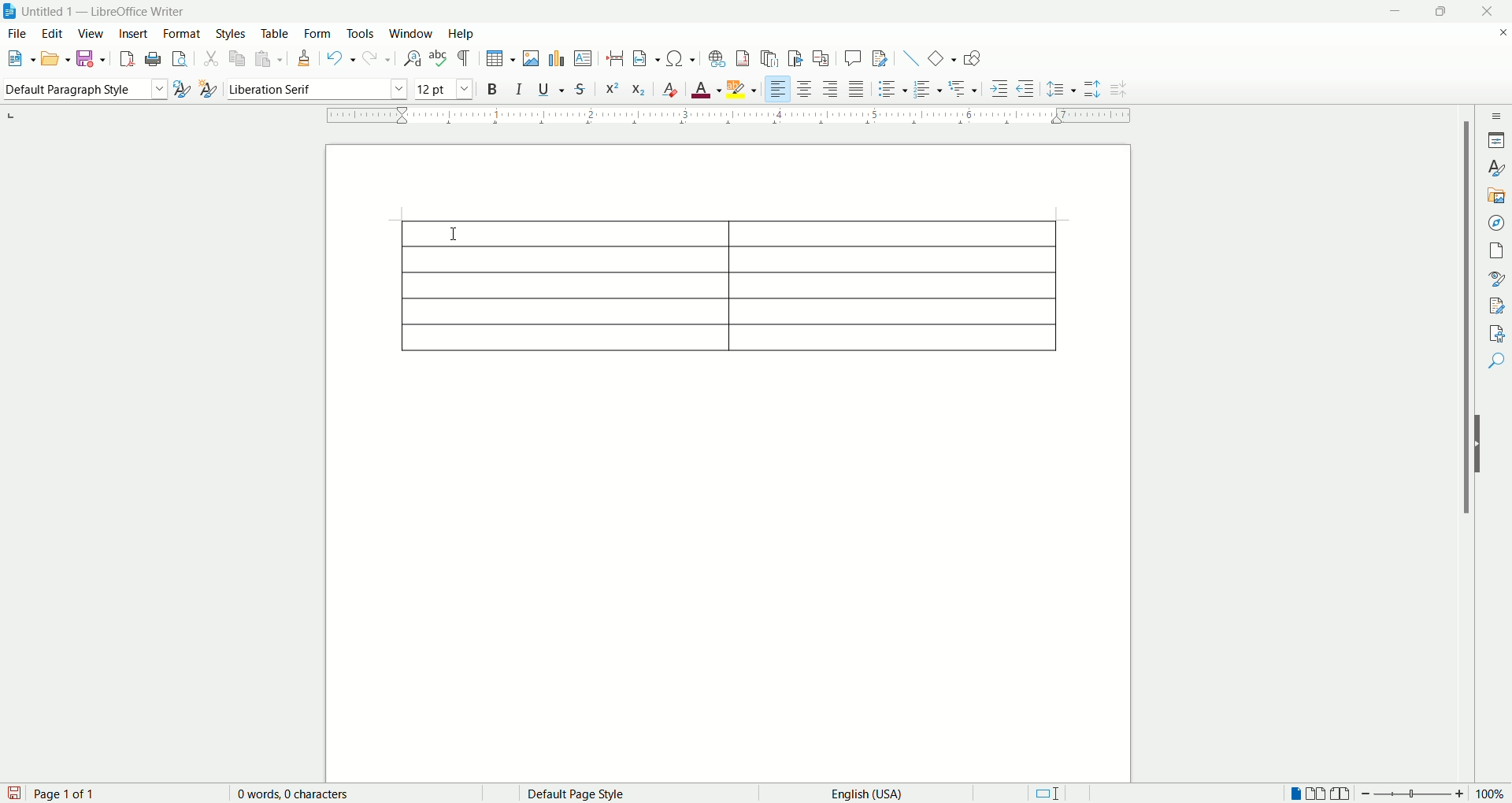 This screenshot has width=1512, height=803. What do you see at coordinates (83, 87) in the screenshot?
I see `pragraph style` at bounding box center [83, 87].